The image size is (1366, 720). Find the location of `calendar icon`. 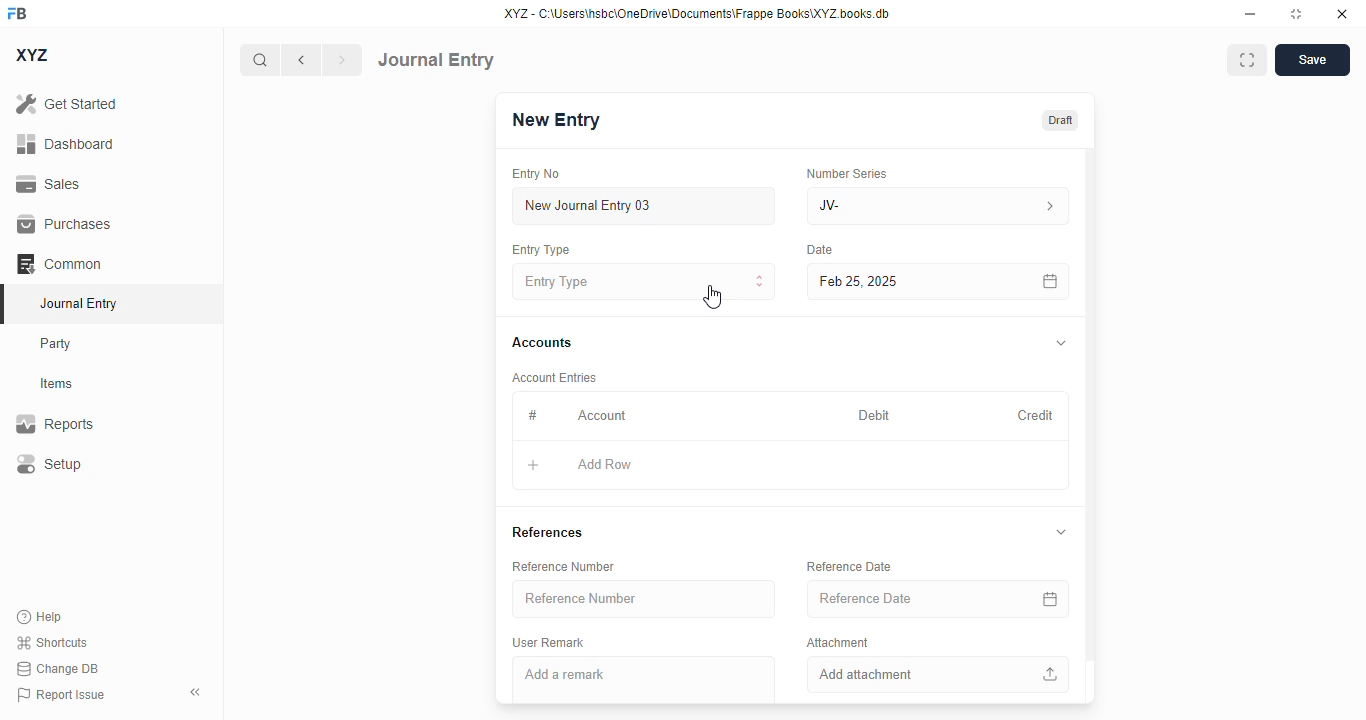

calendar icon is located at coordinates (1051, 282).